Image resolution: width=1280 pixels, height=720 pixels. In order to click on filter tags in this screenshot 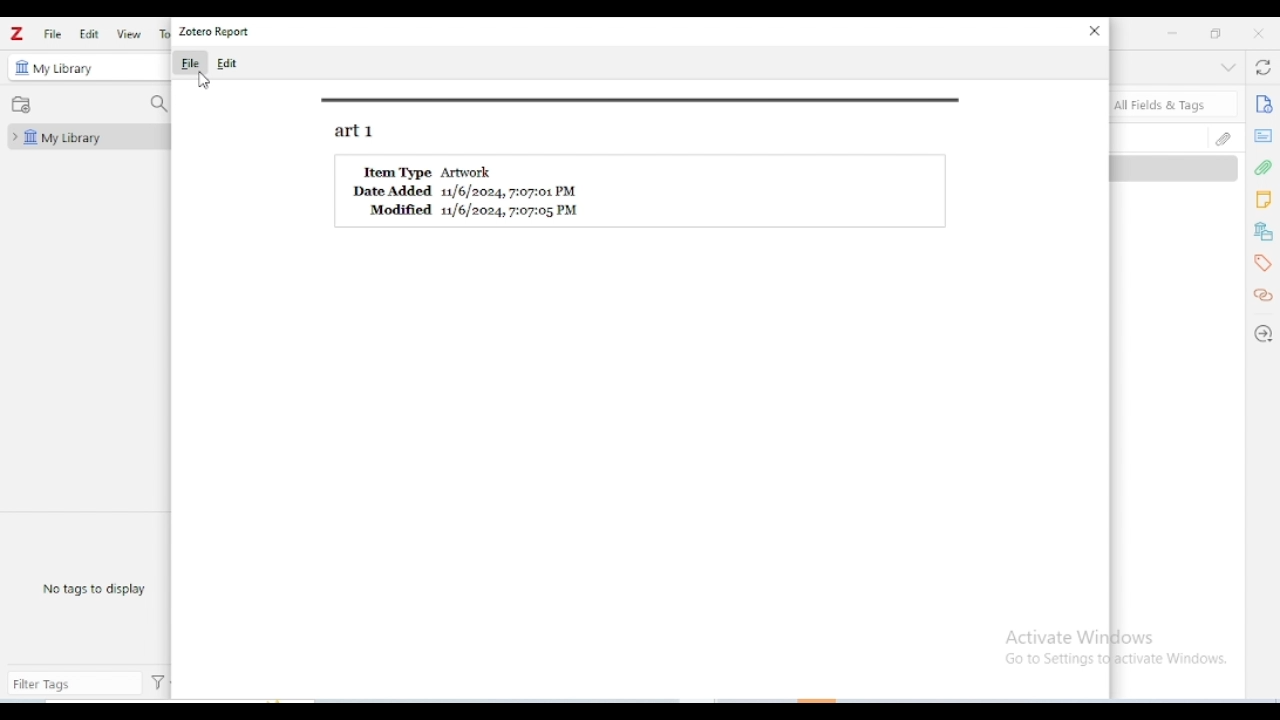, I will do `click(74, 685)`.